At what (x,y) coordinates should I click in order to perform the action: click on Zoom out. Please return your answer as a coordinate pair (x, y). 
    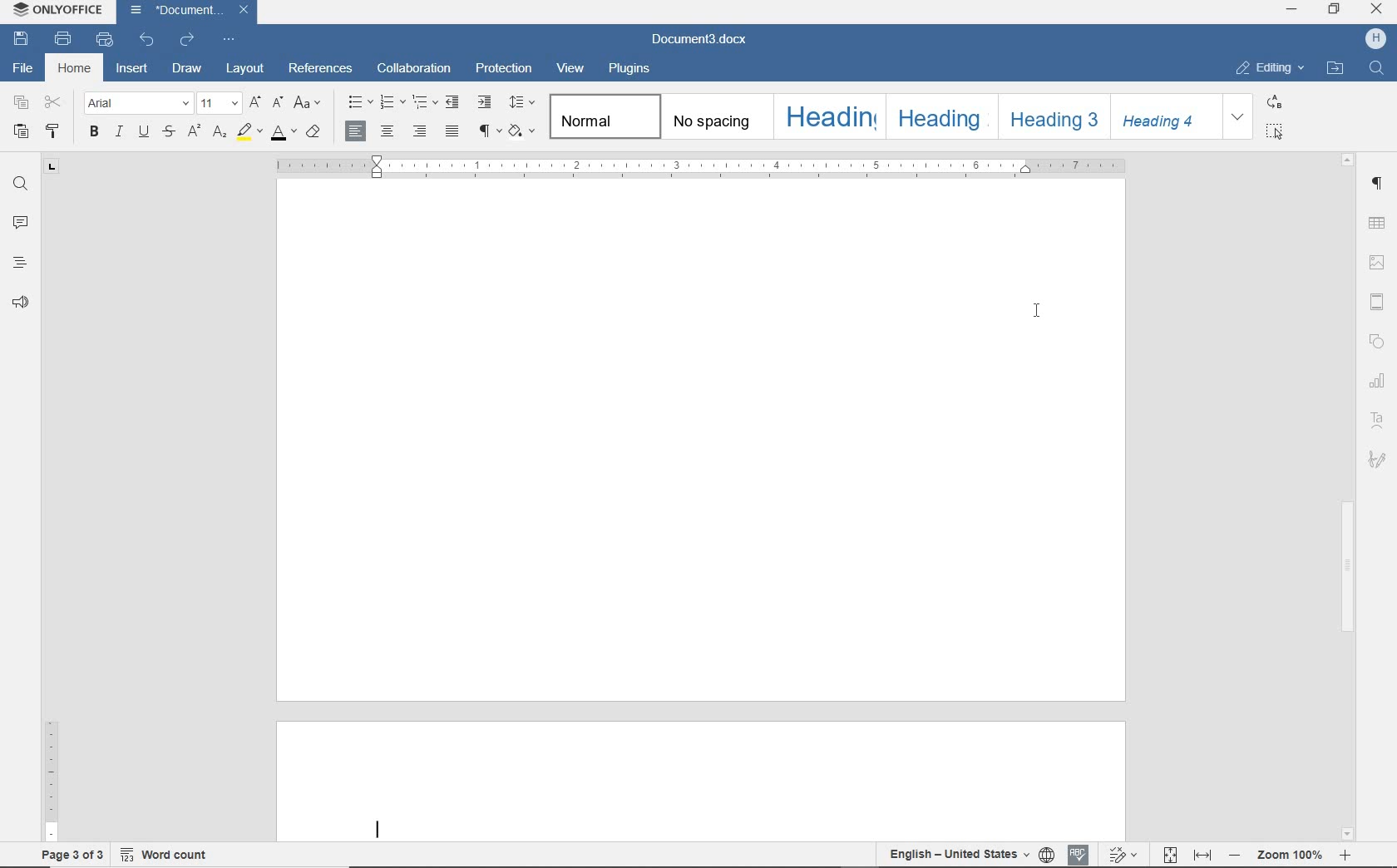
    Looking at the image, I should click on (1233, 854).